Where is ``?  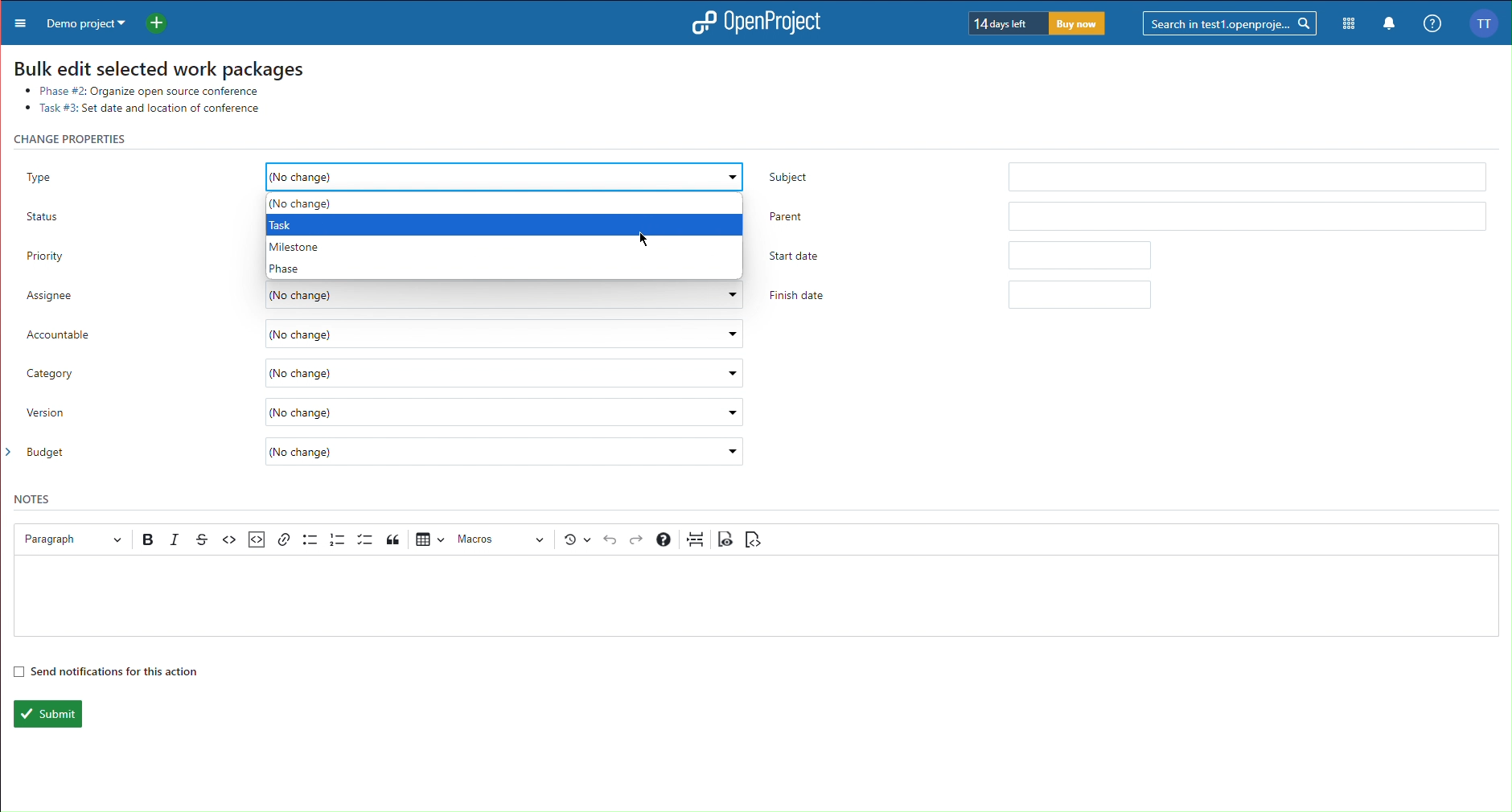  is located at coordinates (35, 498).